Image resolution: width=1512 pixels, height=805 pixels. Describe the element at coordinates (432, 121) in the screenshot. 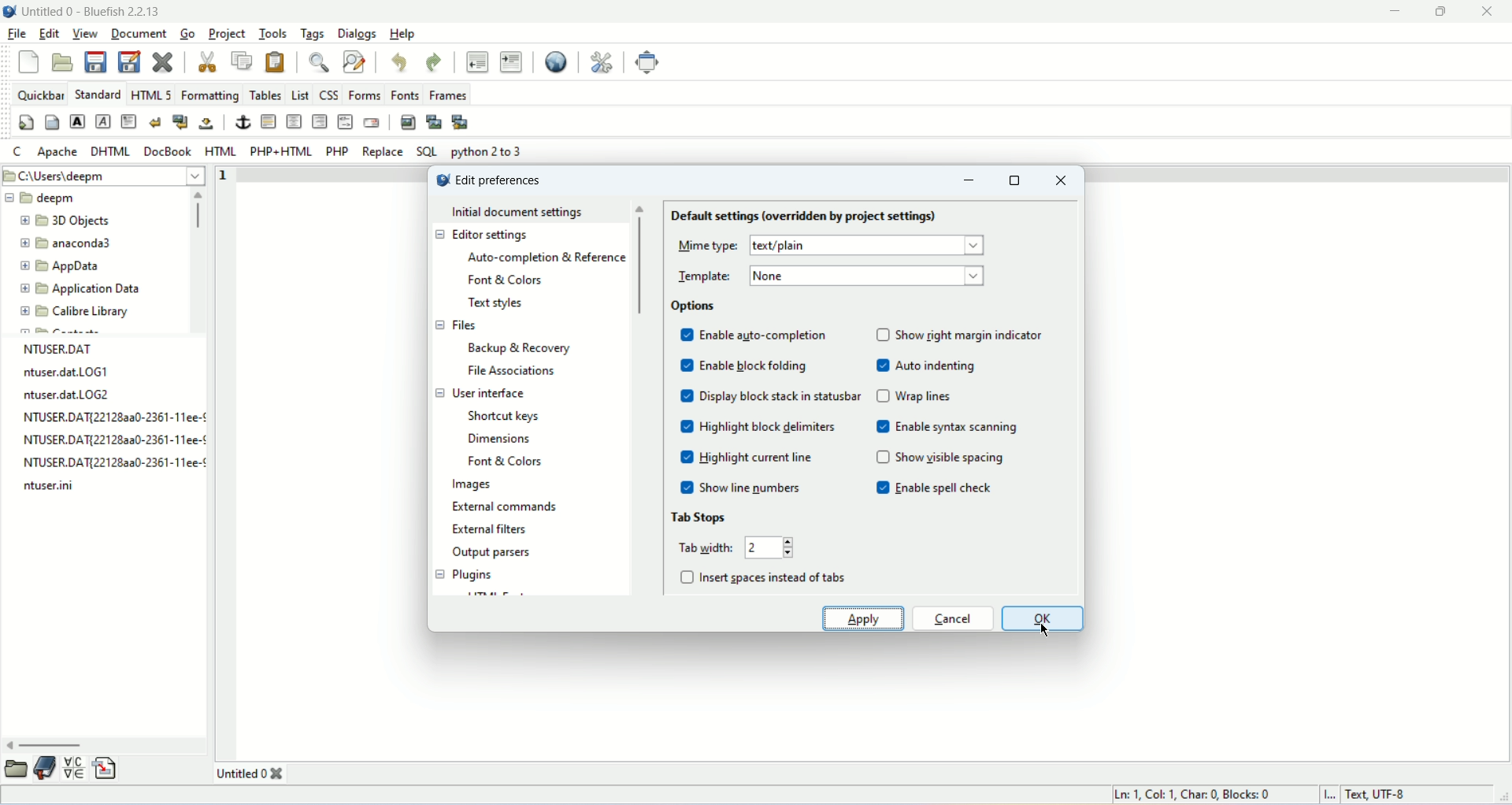

I see `insert thumbnail` at that location.